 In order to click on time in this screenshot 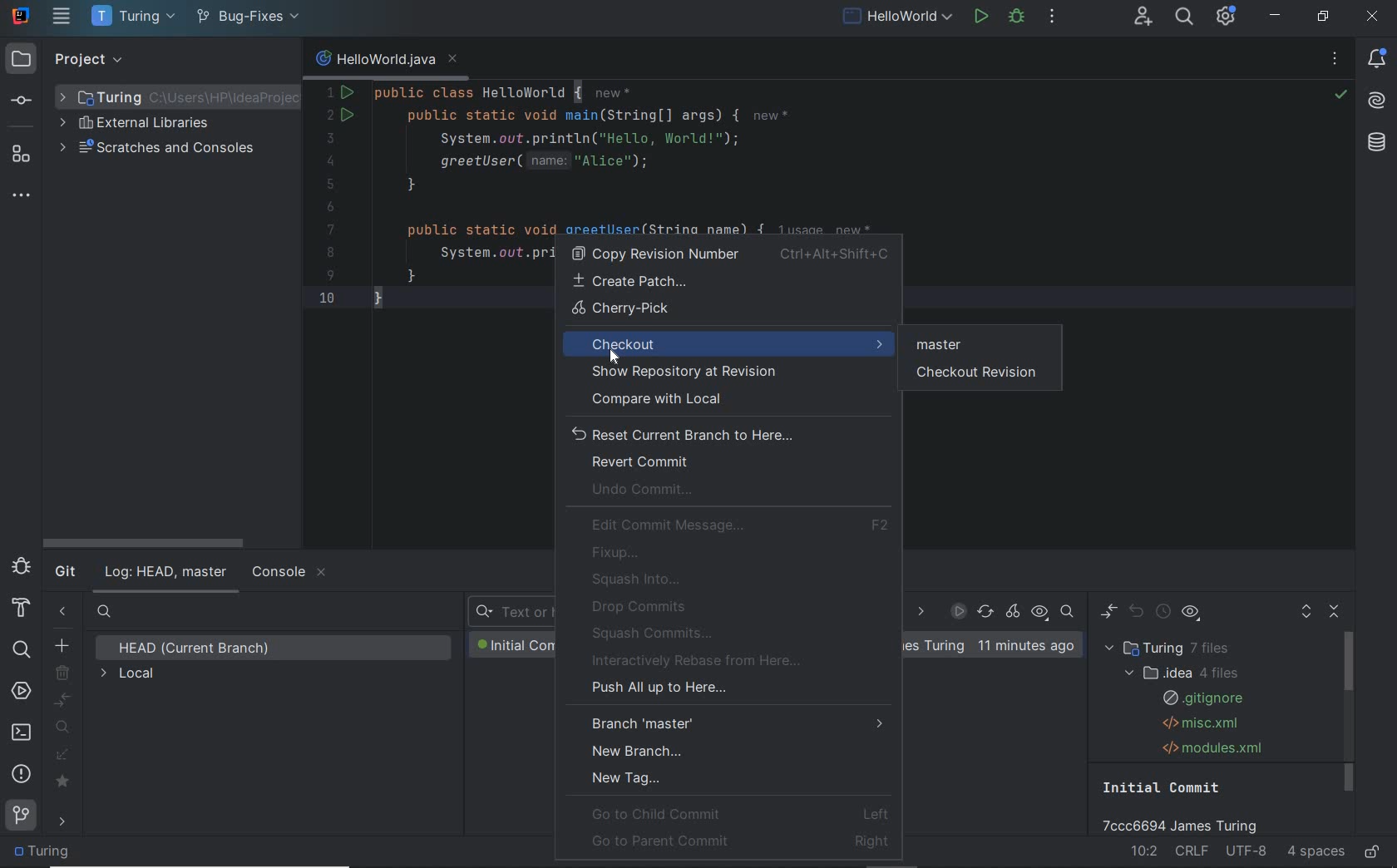, I will do `click(1025, 646)`.